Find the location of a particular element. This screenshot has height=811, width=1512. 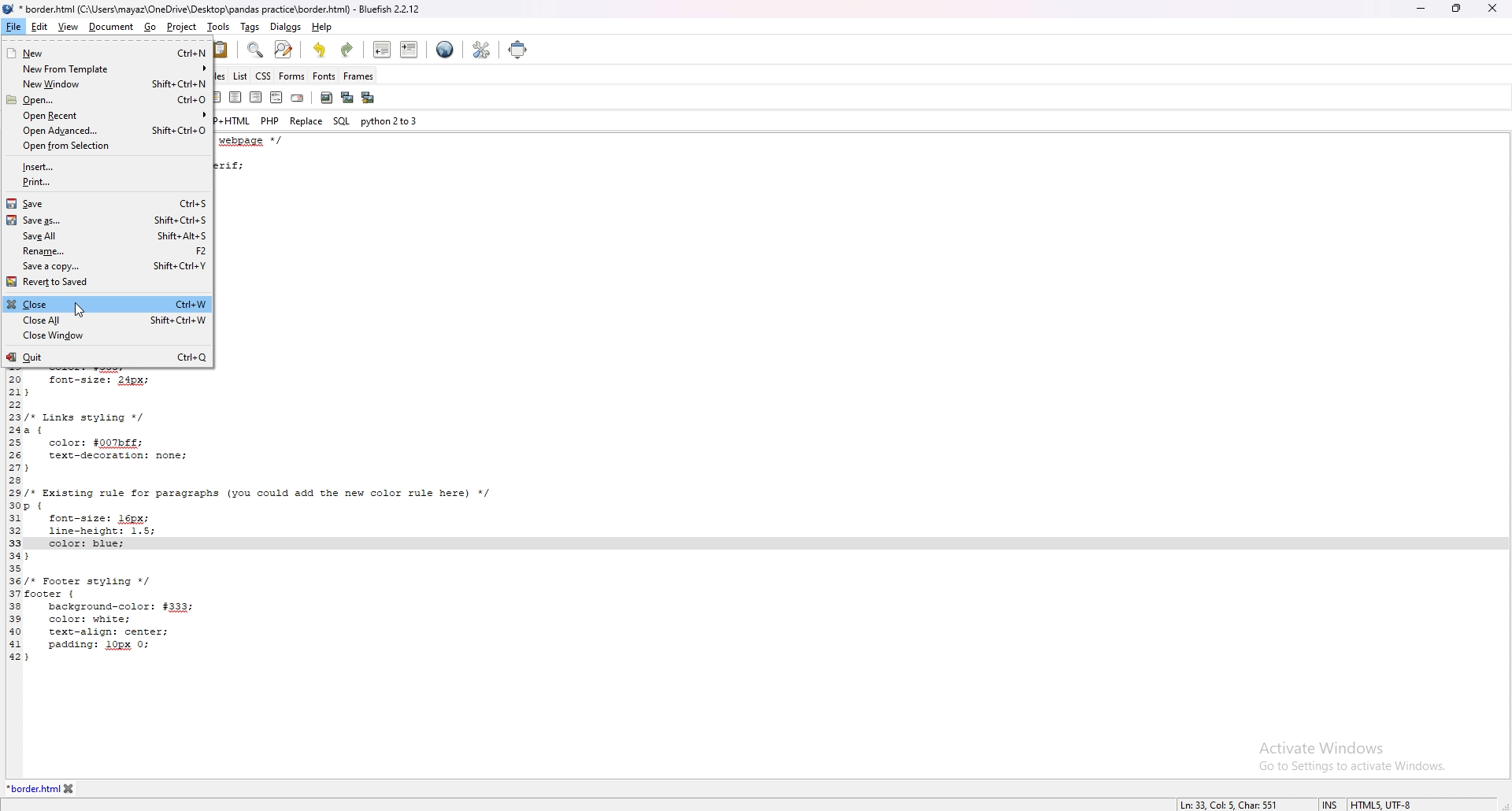

cursor is located at coordinates (83, 312).